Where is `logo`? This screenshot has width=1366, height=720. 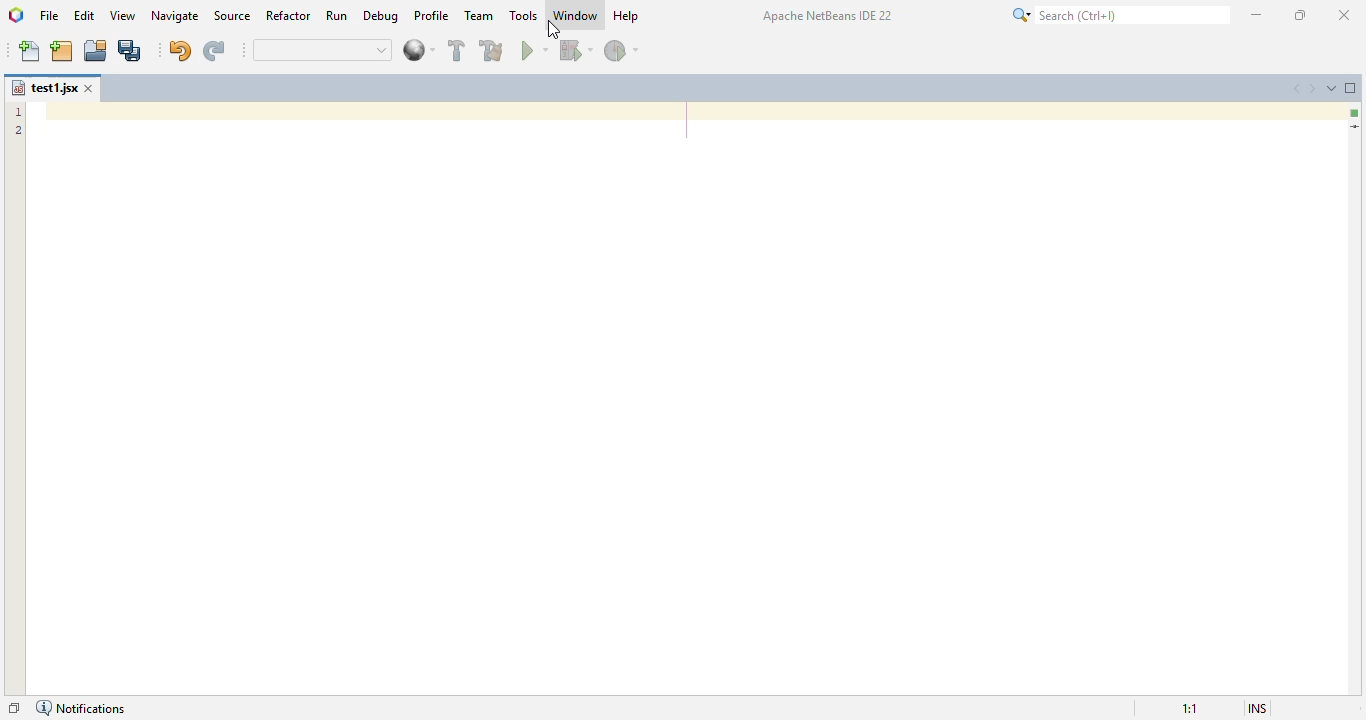
logo is located at coordinates (16, 14).